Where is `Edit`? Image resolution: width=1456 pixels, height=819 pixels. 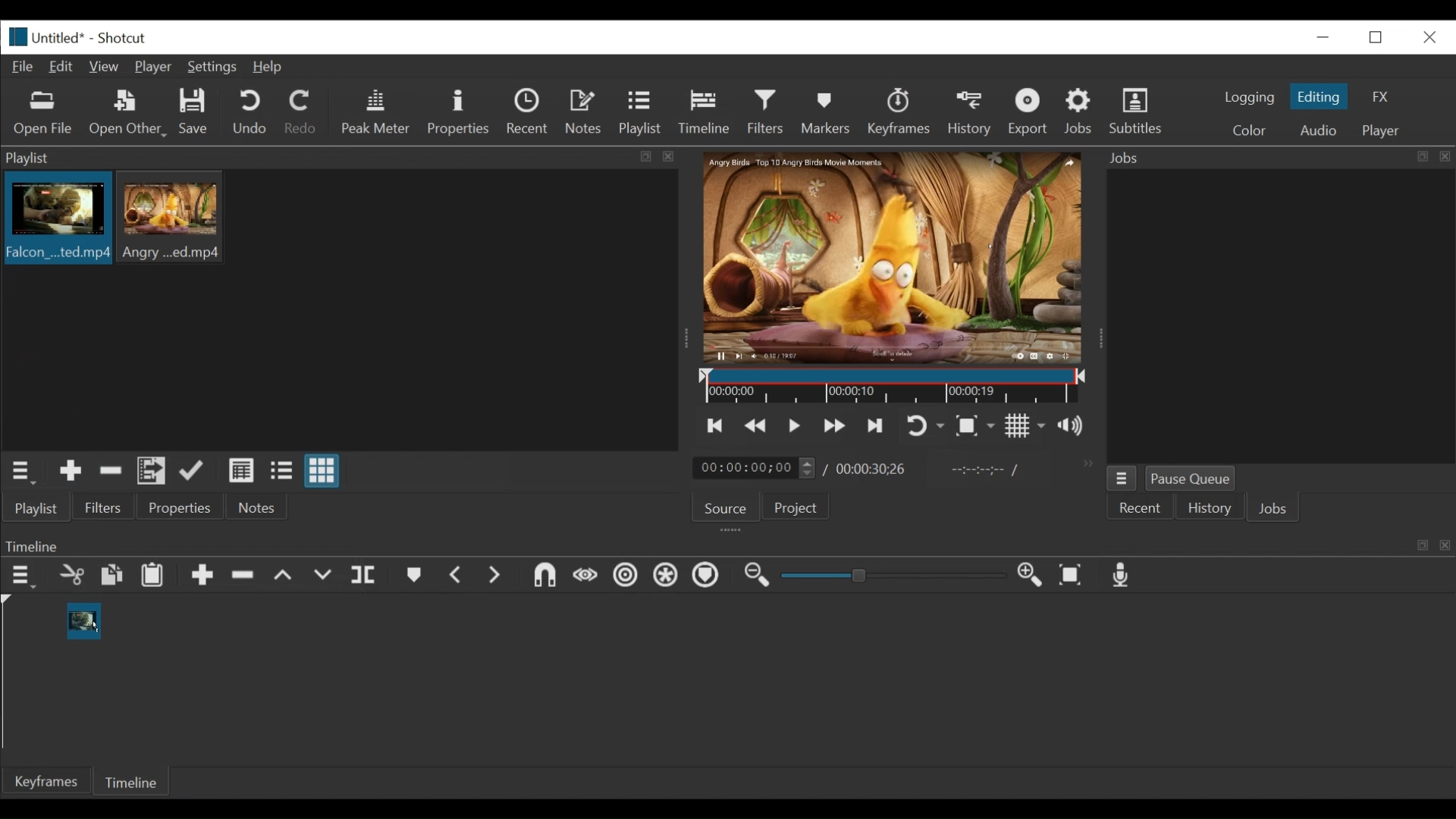 Edit is located at coordinates (64, 65).